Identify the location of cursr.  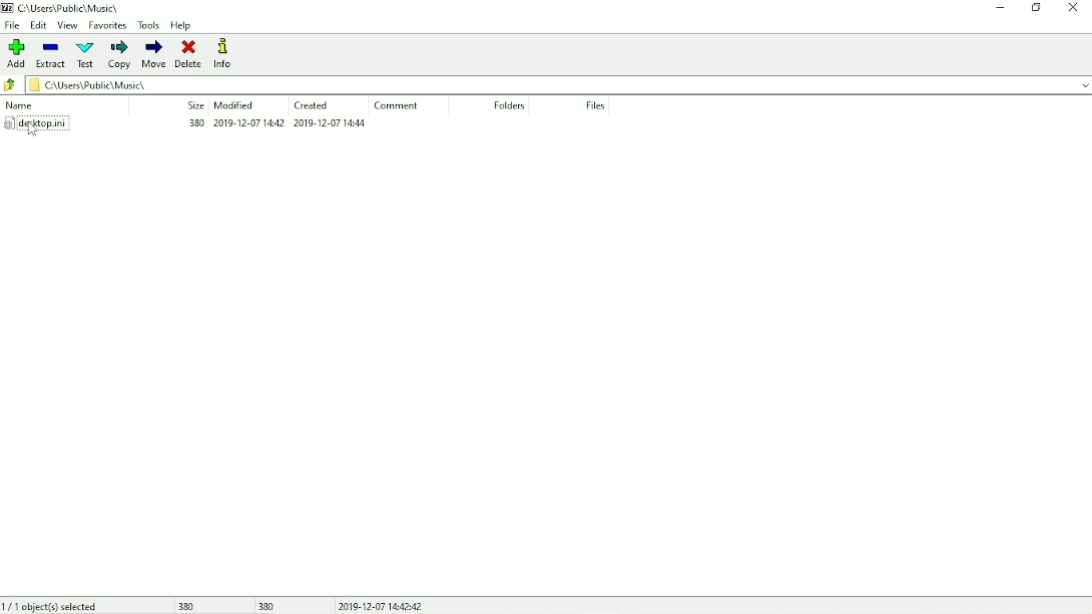
(31, 130).